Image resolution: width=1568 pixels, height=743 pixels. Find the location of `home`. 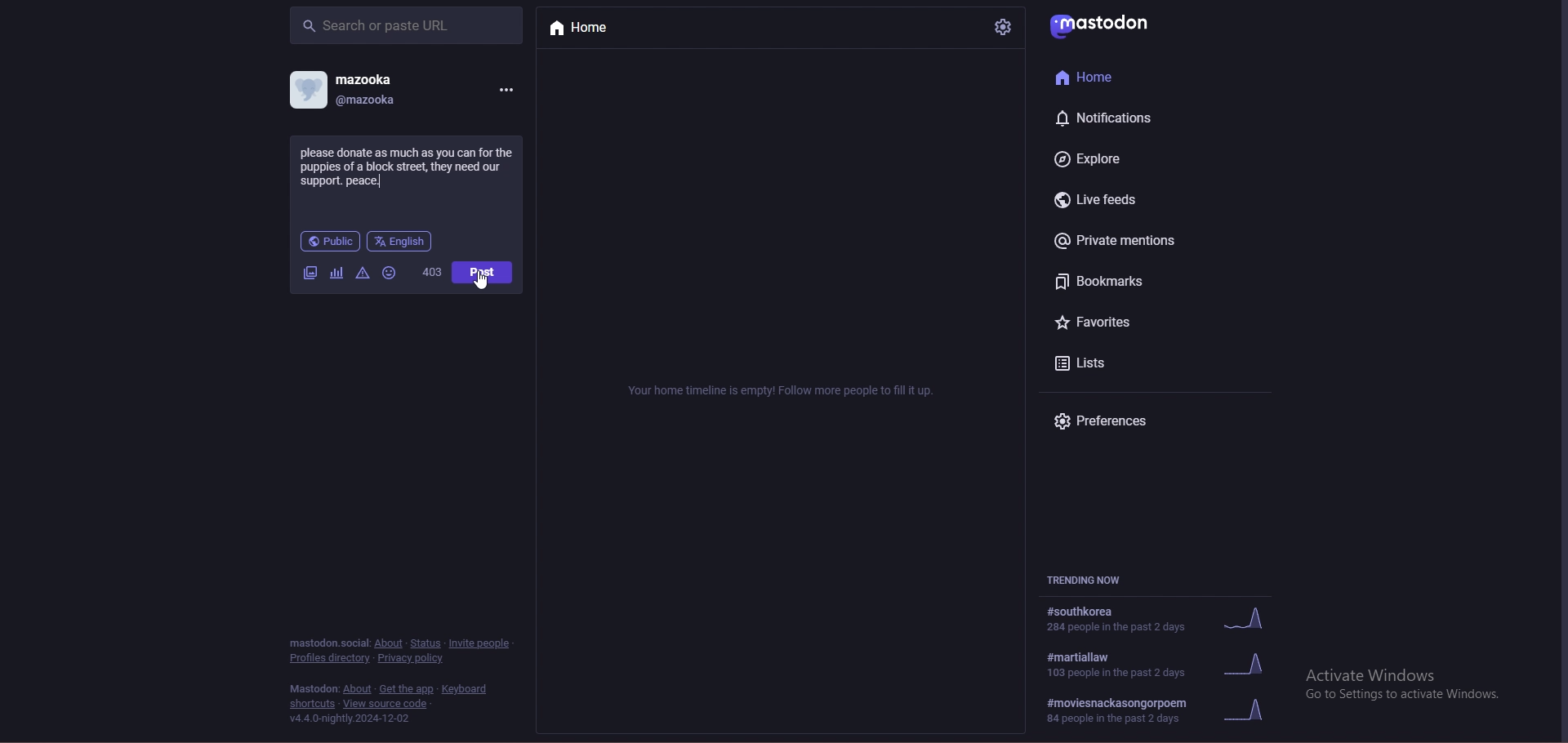

home is located at coordinates (1122, 78).